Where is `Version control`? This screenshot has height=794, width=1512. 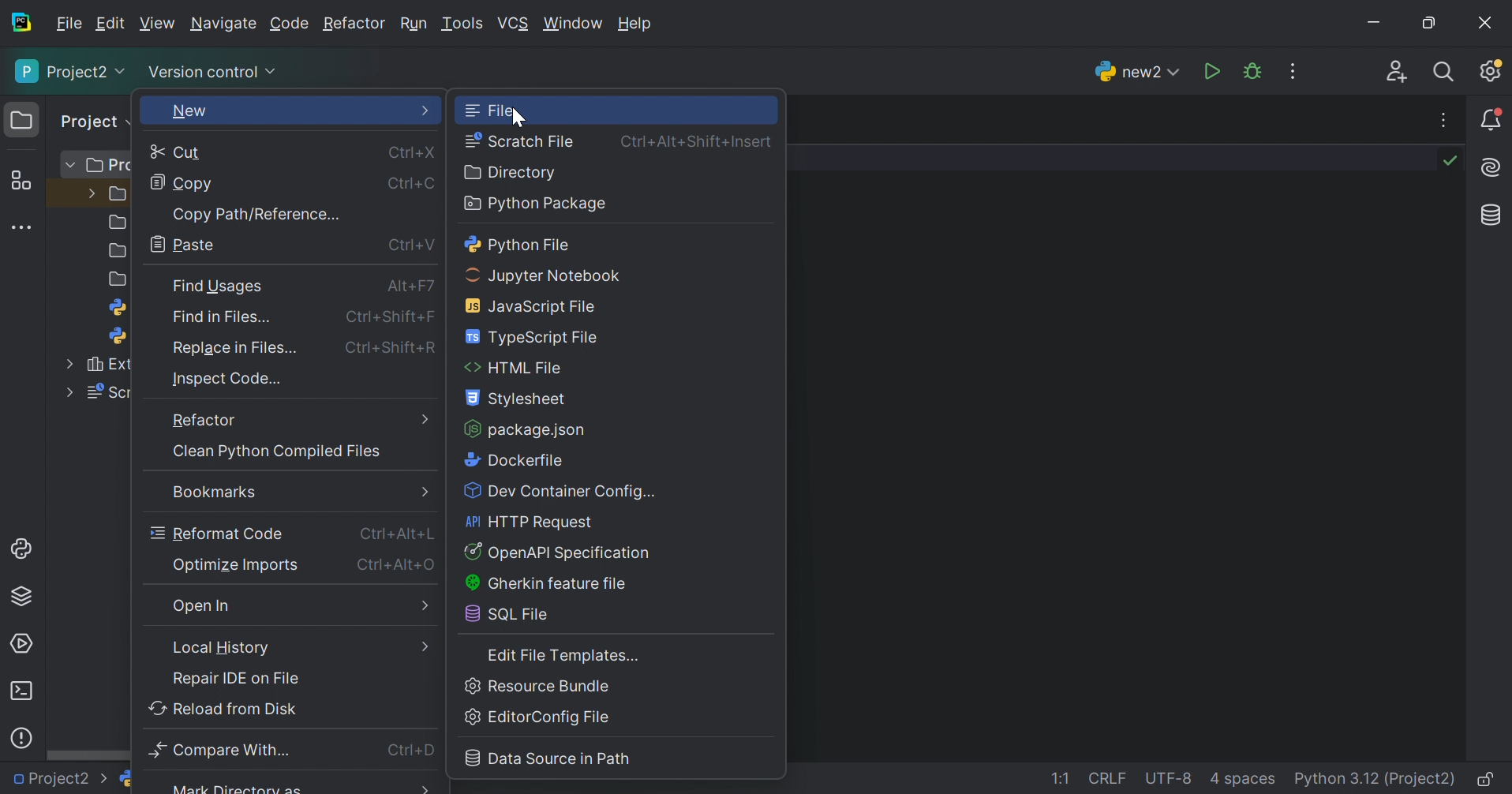
Version control is located at coordinates (215, 73).